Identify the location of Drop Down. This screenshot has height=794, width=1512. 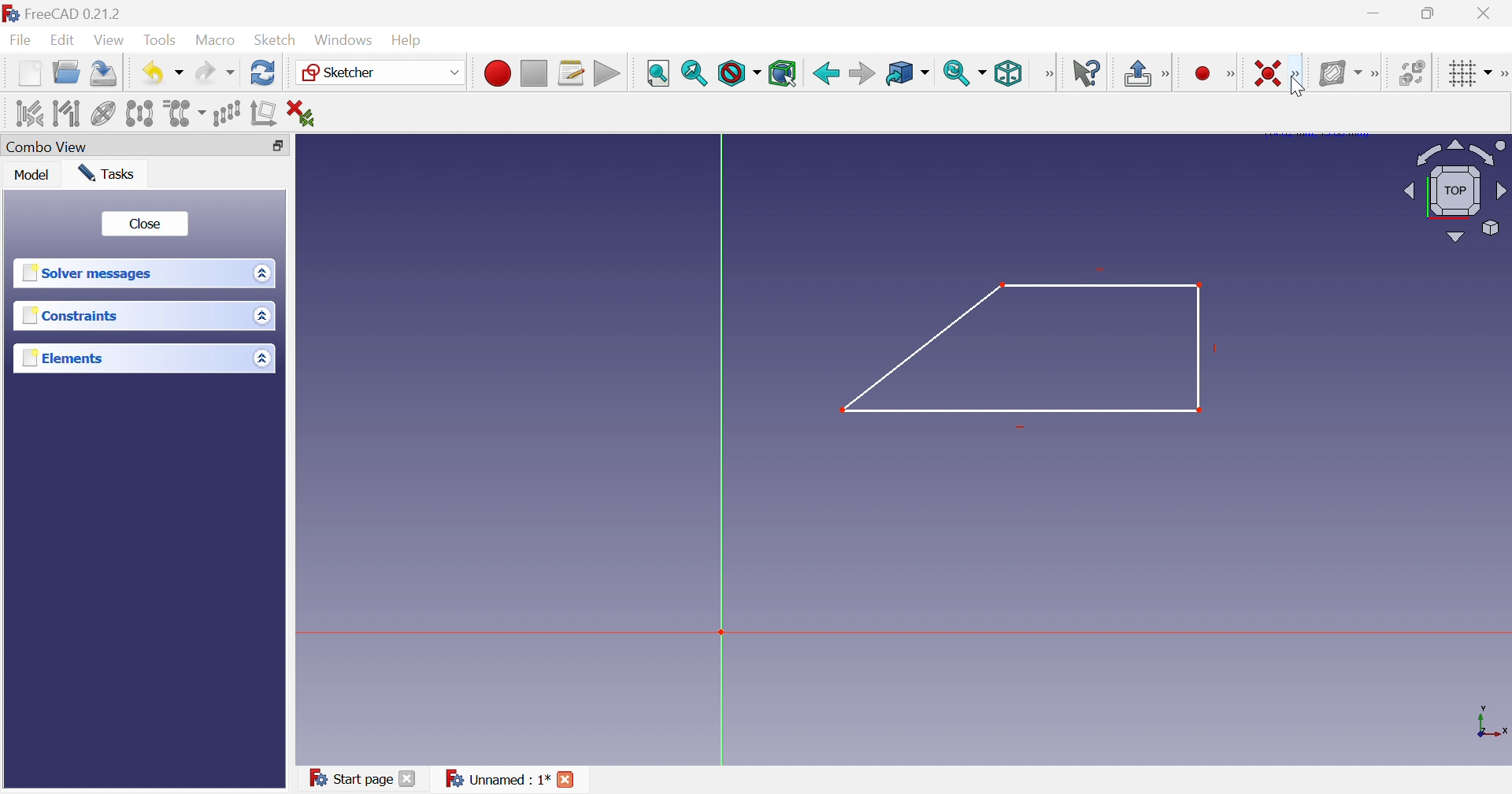
(180, 73).